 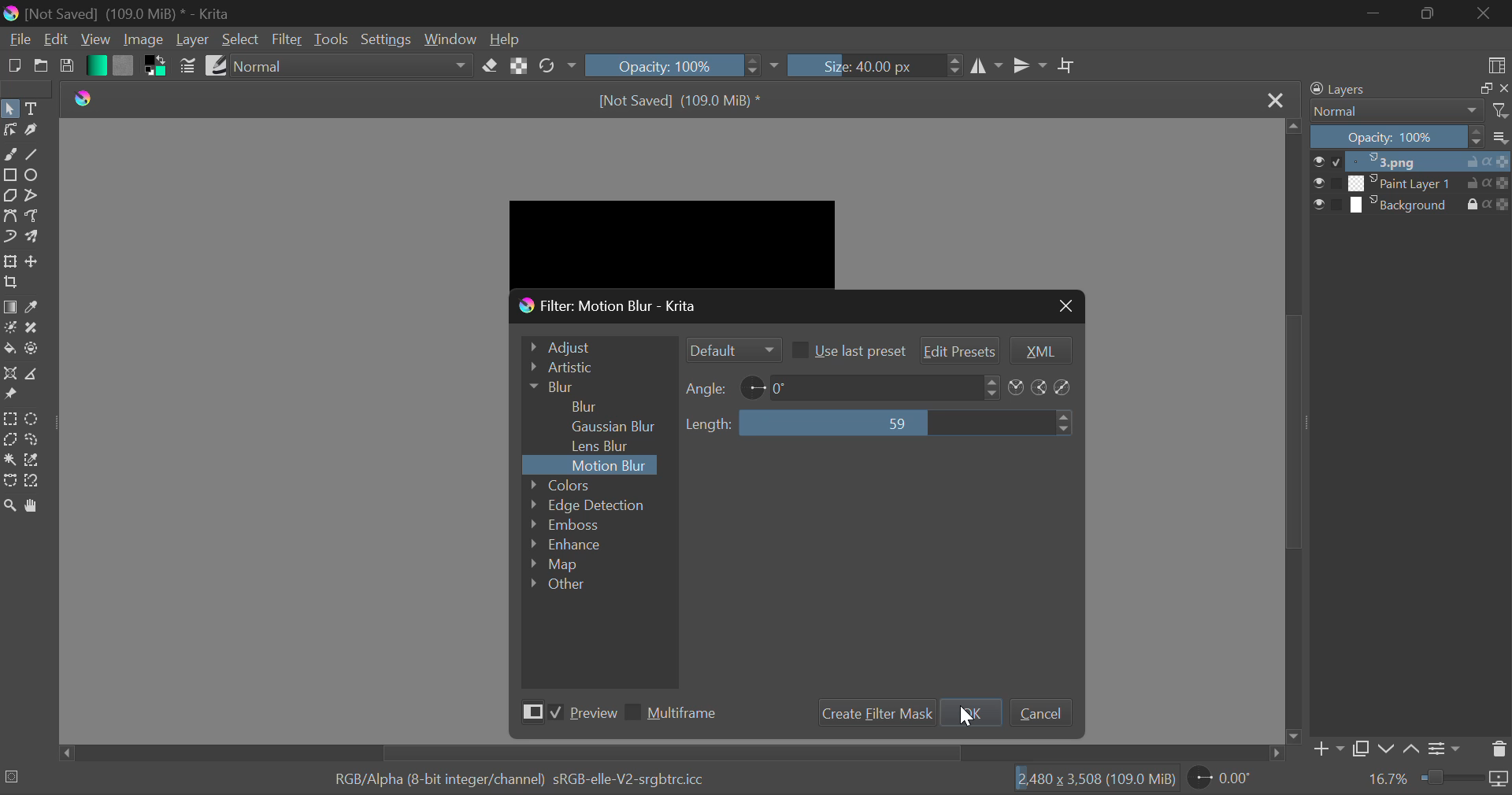 I want to click on Krita Logo, so click(x=87, y=100).